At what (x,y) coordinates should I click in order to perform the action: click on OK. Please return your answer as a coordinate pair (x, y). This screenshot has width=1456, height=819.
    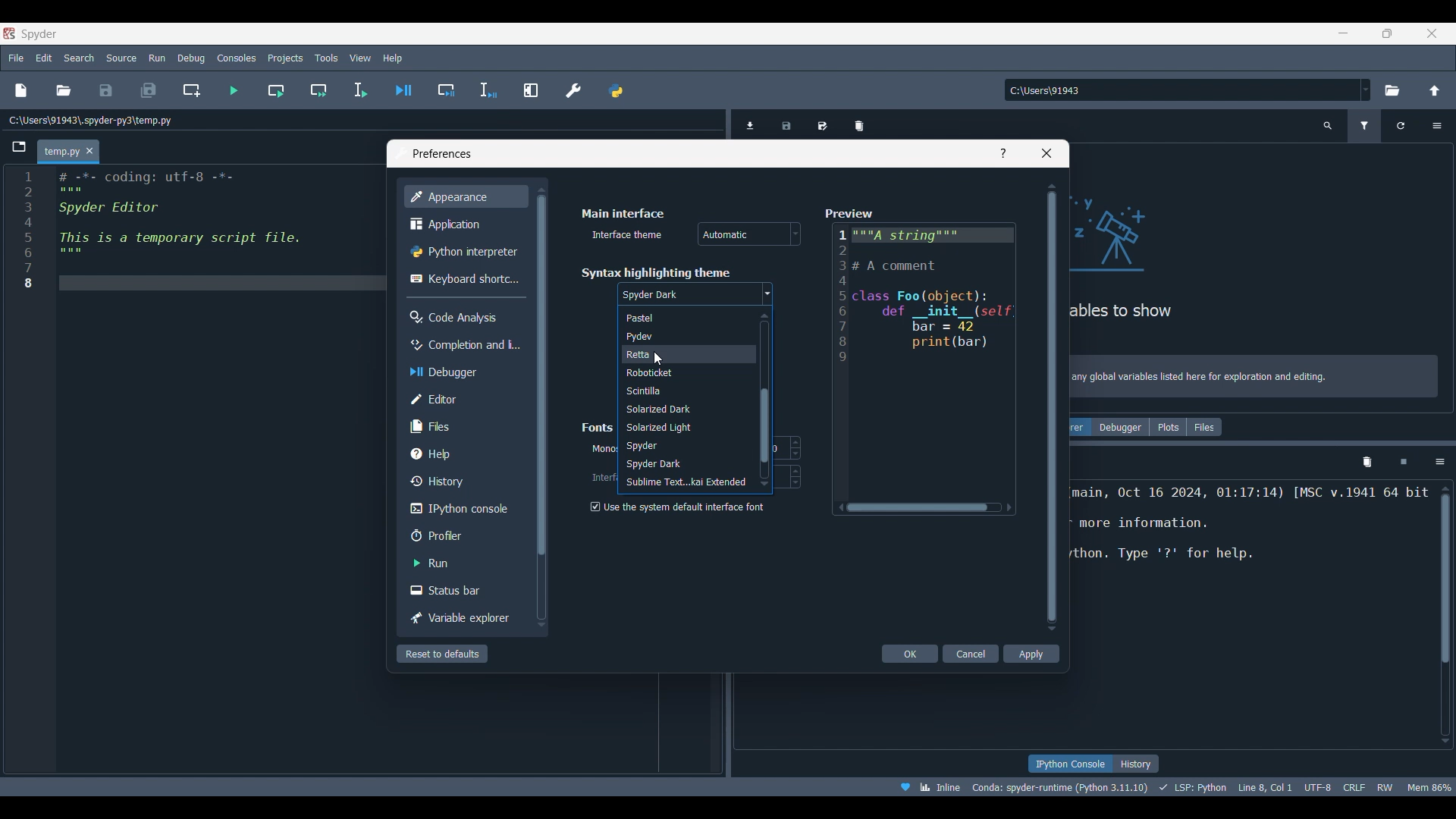
    Looking at the image, I should click on (911, 654).